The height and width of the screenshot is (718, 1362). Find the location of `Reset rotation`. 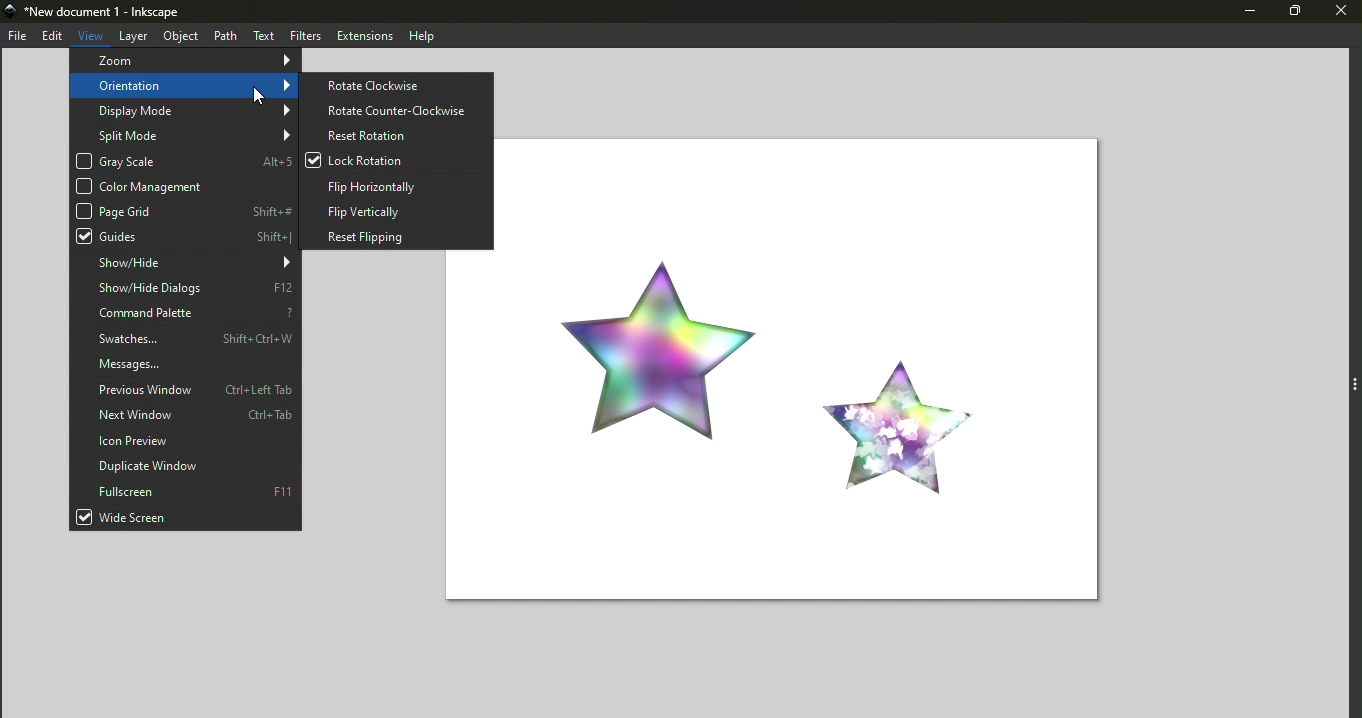

Reset rotation is located at coordinates (397, 135).